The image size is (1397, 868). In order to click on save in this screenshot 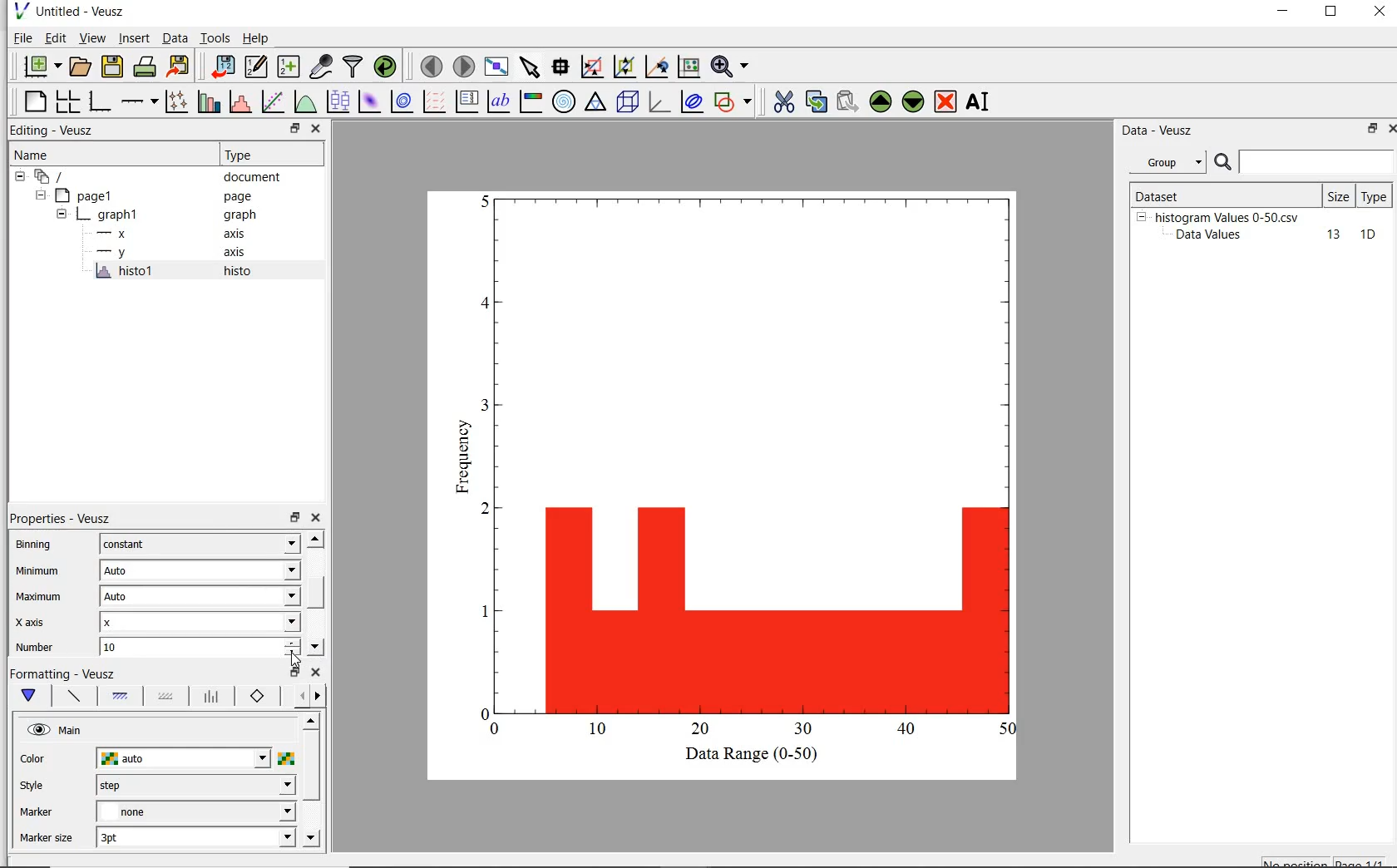, I will do `click(113, 65)`.